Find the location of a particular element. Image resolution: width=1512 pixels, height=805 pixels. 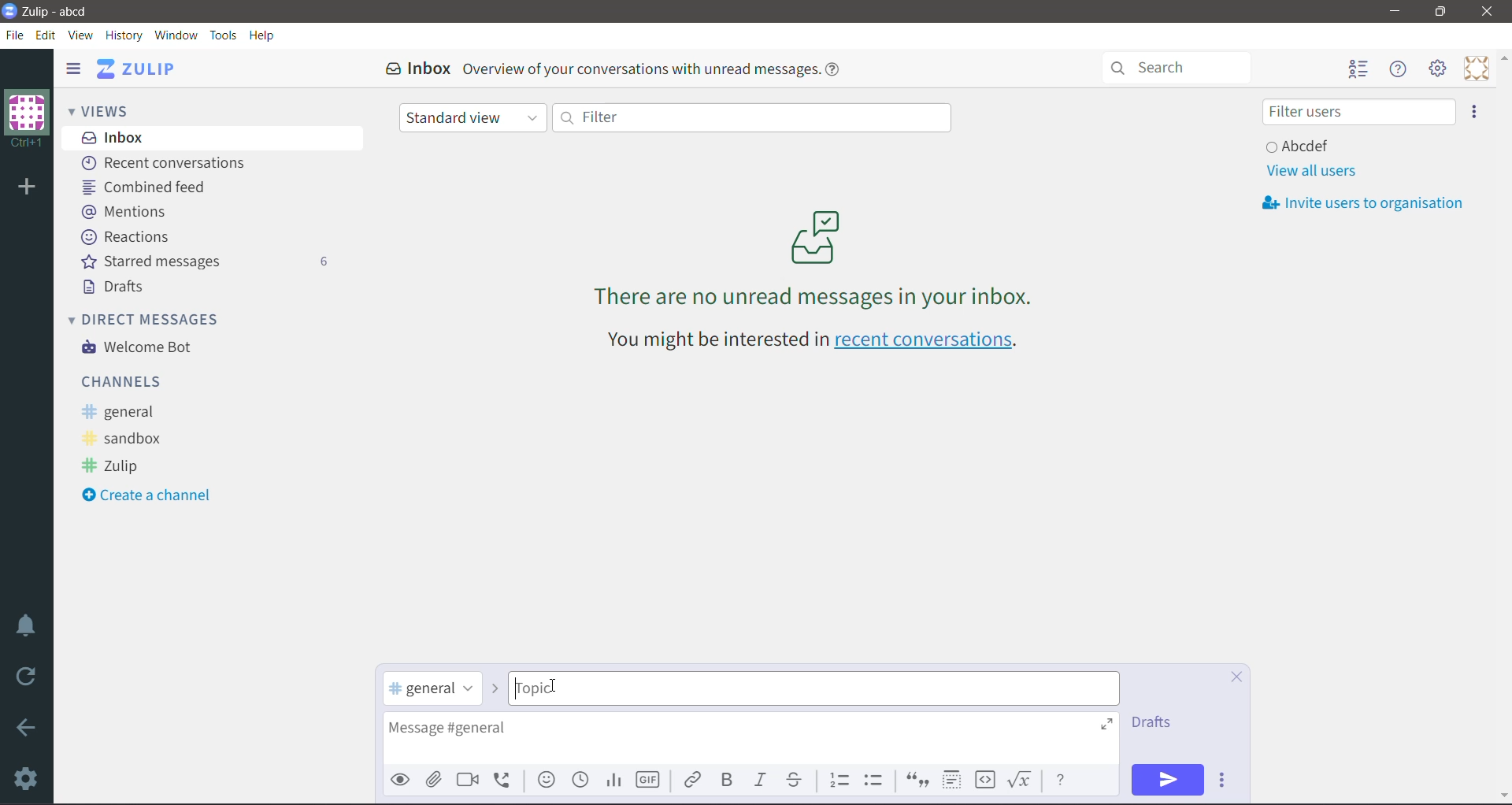

Search is located at coordinates (1184, 66).